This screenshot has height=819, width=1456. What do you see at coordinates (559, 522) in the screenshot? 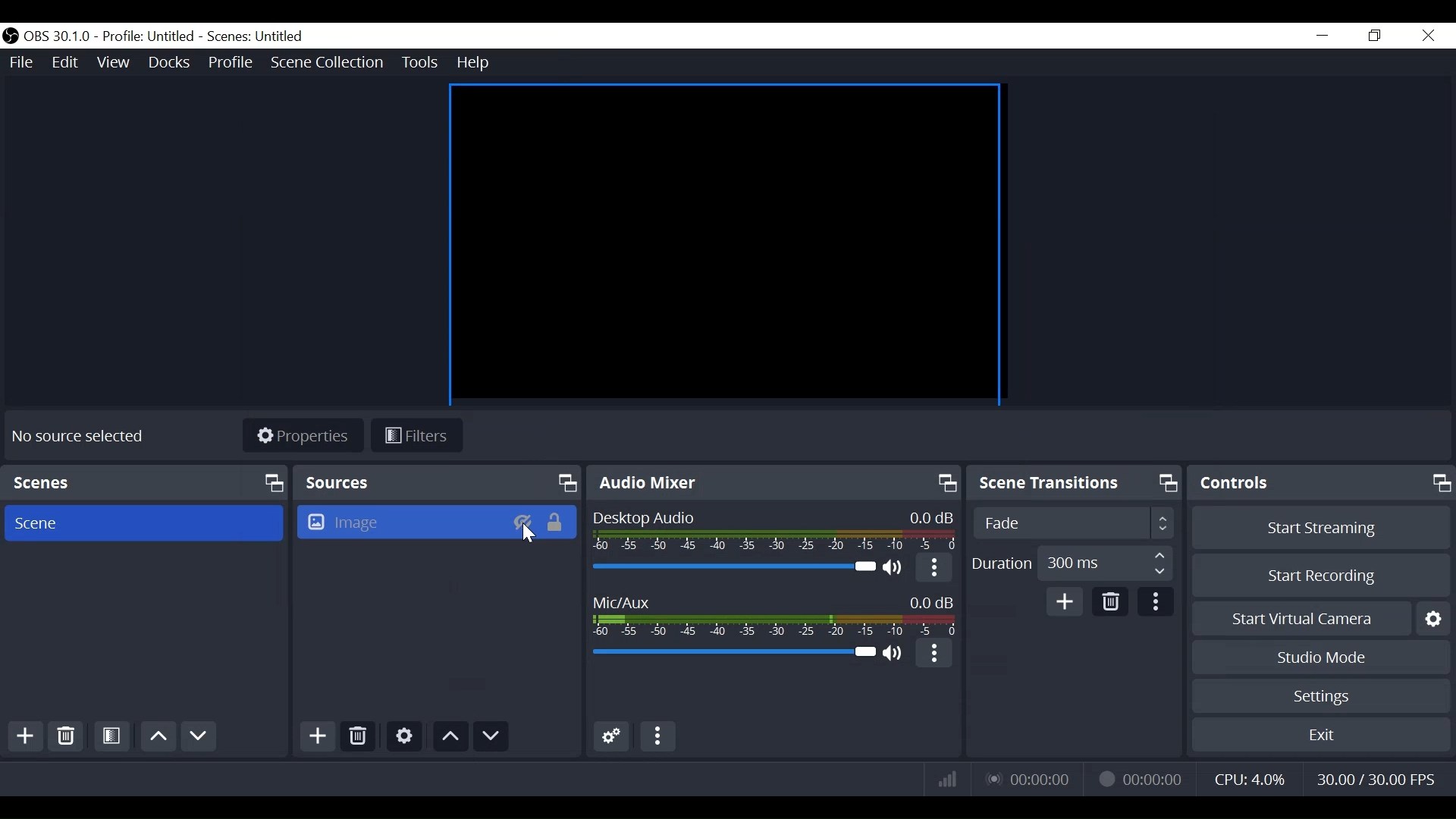
I see `(un)Lock` at bounding box center [559, 522].